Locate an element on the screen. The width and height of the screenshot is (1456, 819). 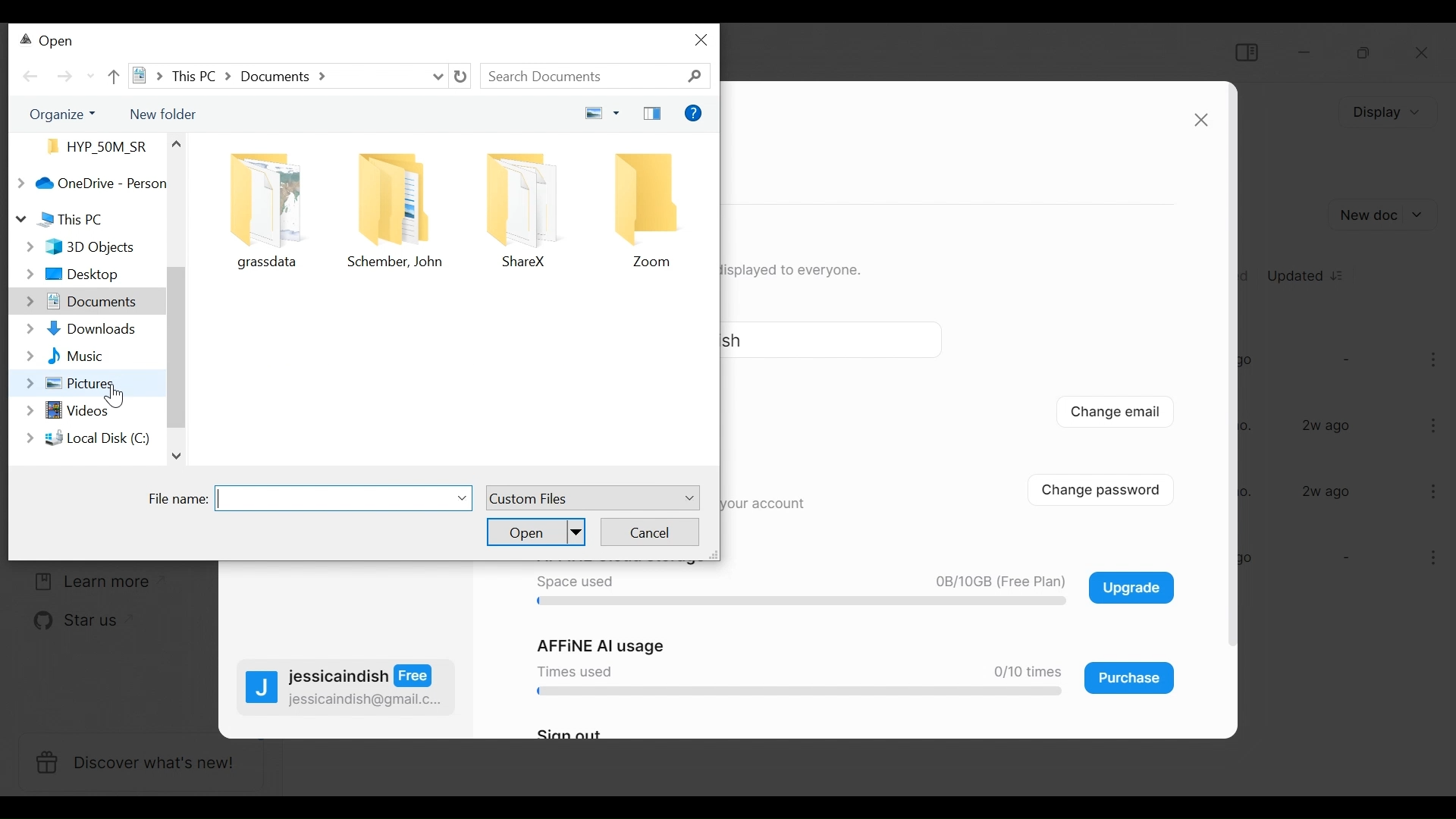
AFFiNE AI usage is located at coordinates (603, 646).